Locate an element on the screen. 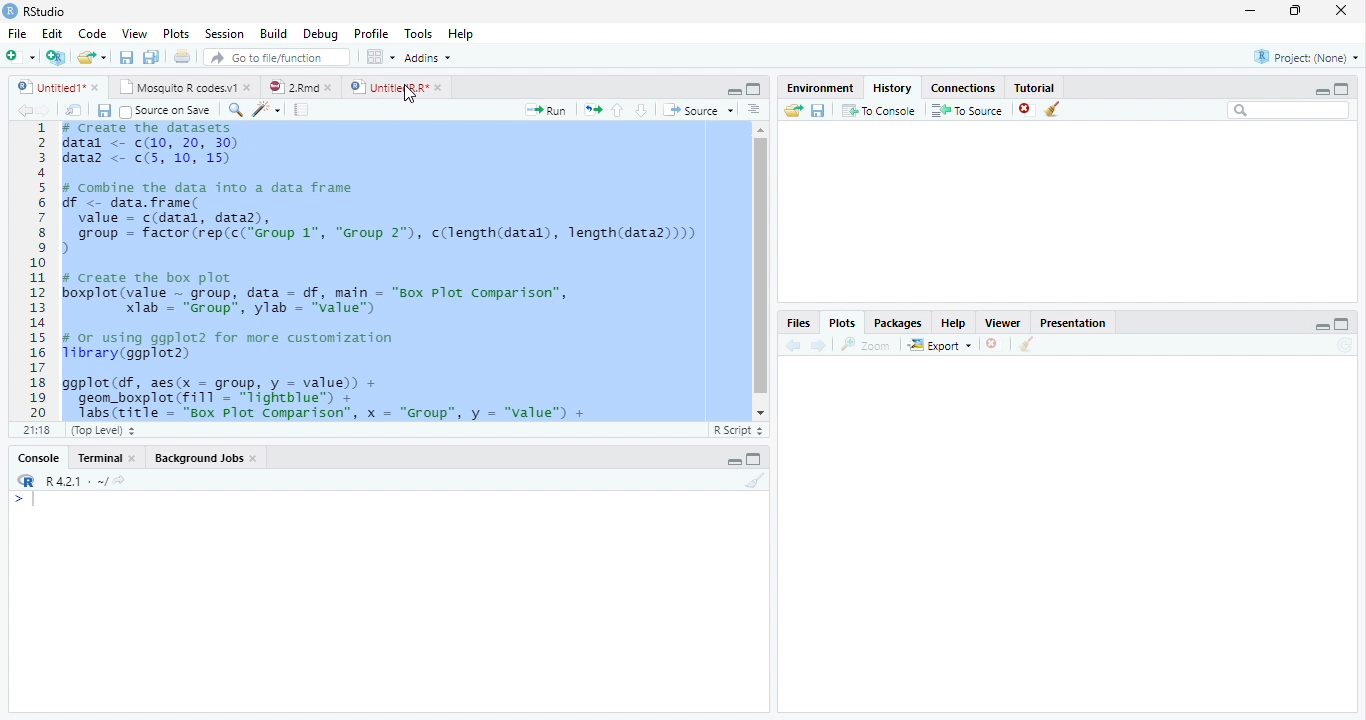 The height and width of the screenshot is (720, 1366). minimize is located at coordinates (1251, 10).